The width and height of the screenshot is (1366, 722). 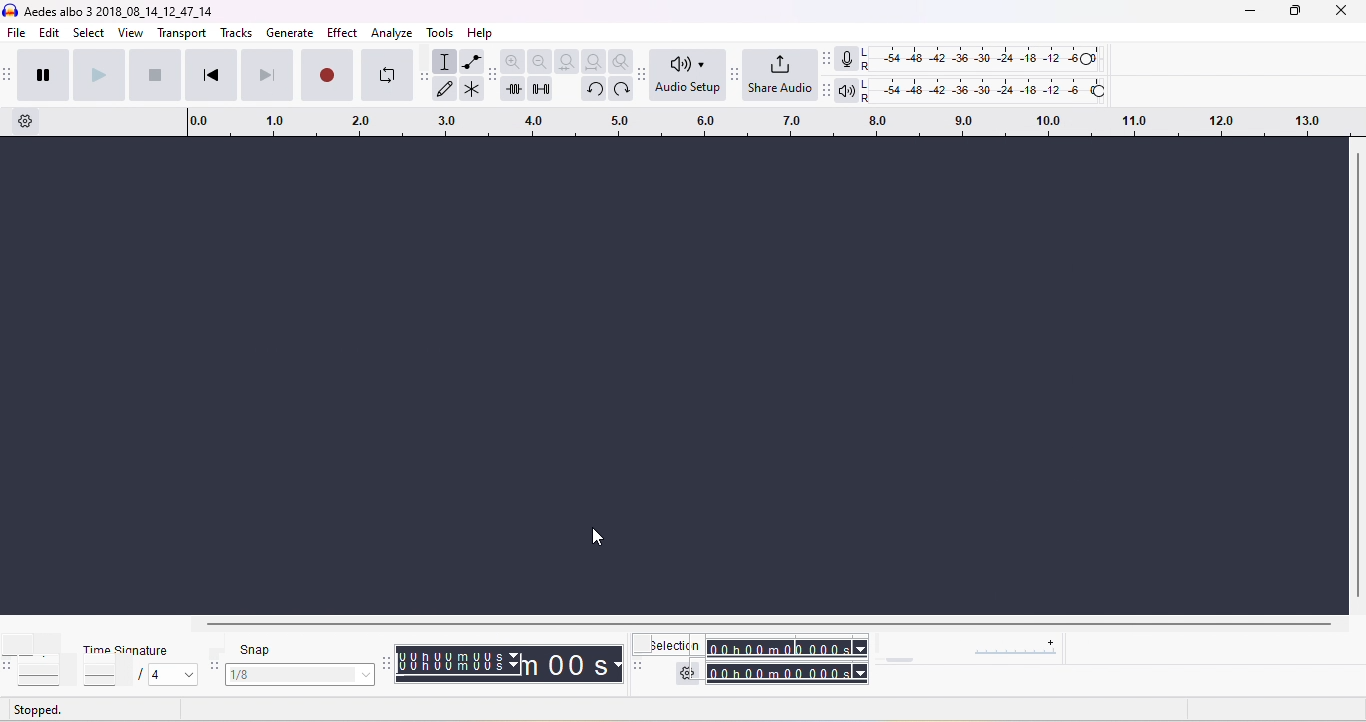 I want to click on audacity tempo toolbar, so click(x=9, y=665).